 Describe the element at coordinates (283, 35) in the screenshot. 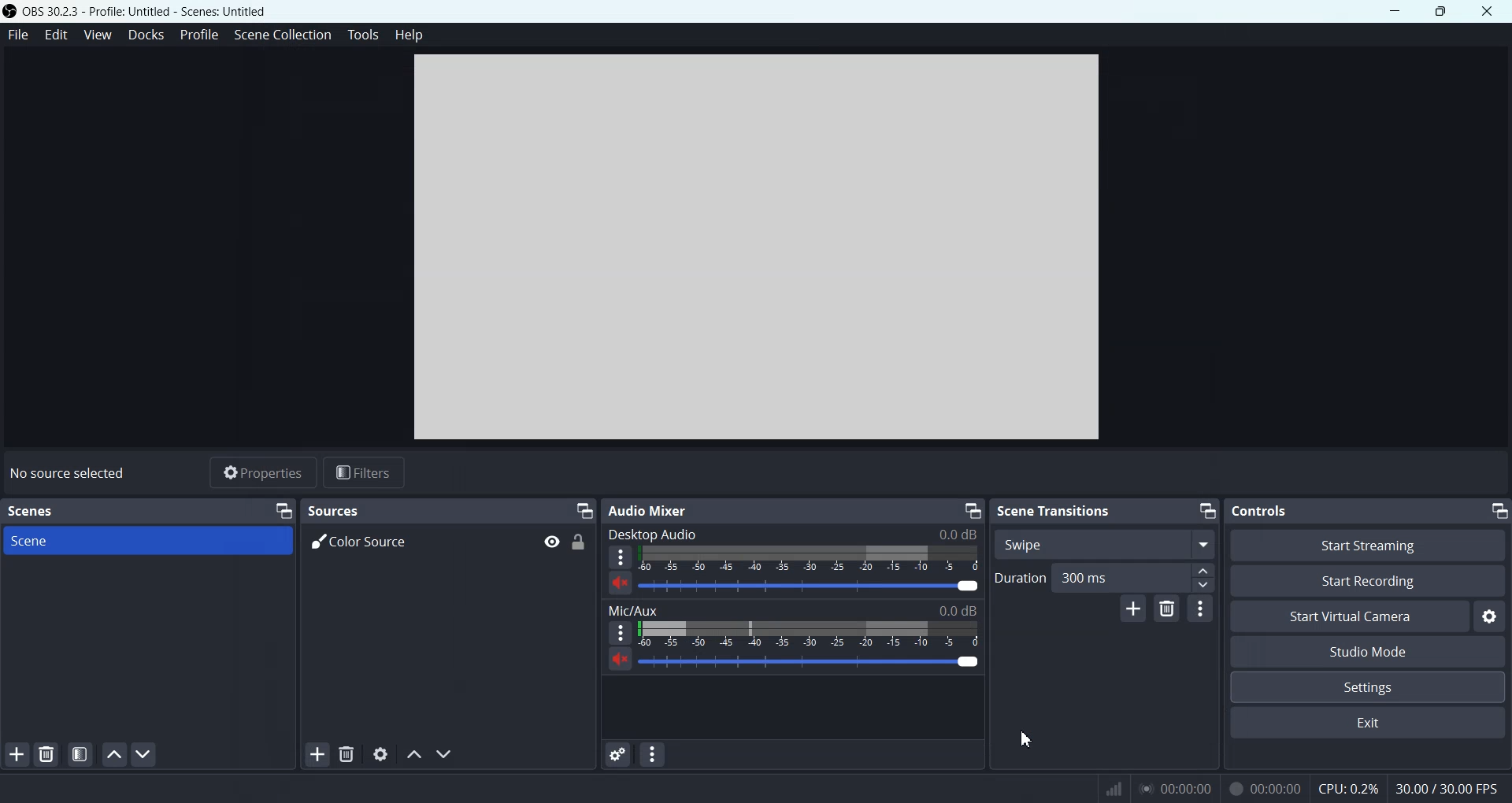

I see `Scene Collection` at that location.